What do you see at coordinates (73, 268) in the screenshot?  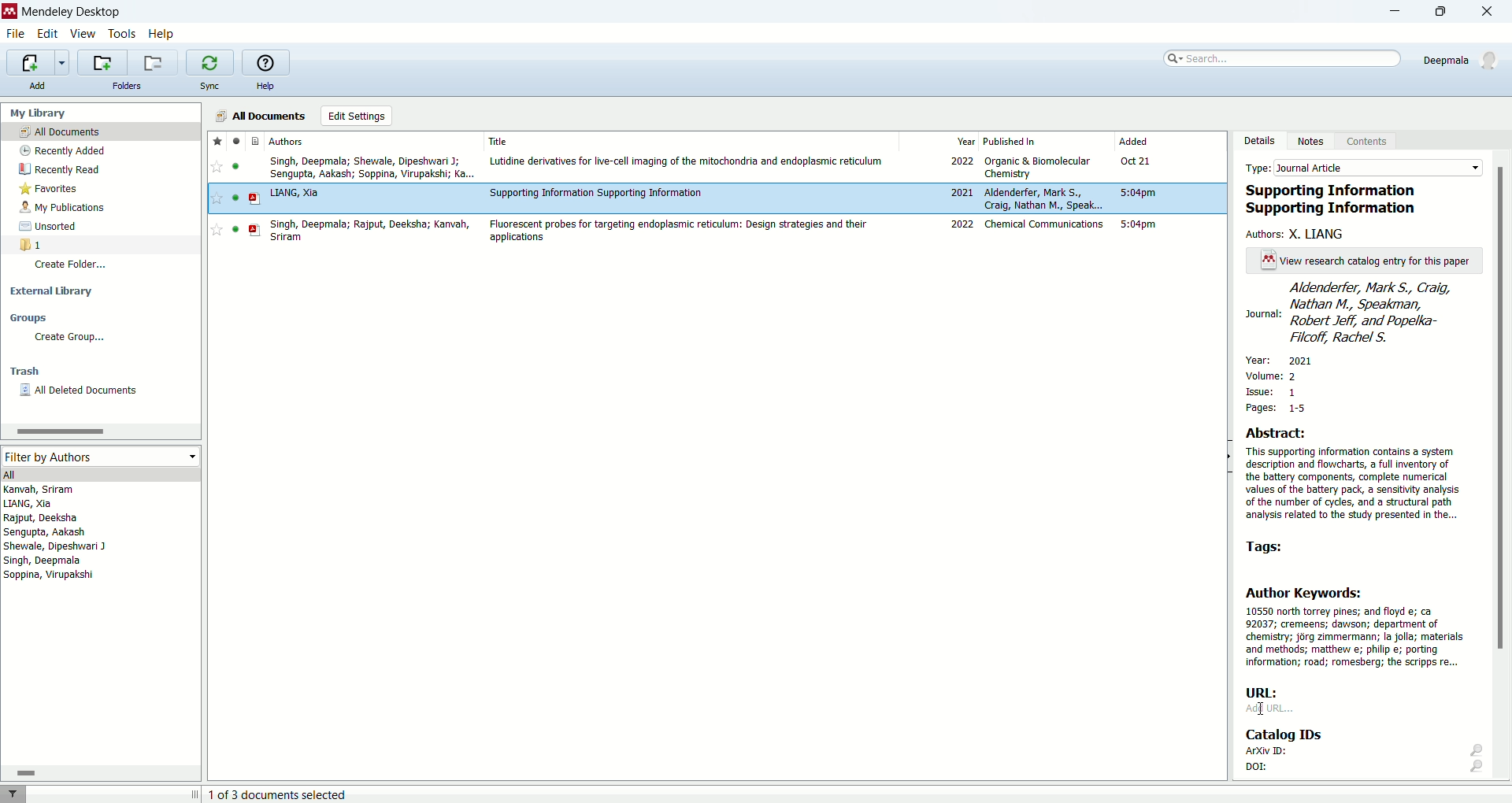 I see `create folder` at bounding box center [73, 268].